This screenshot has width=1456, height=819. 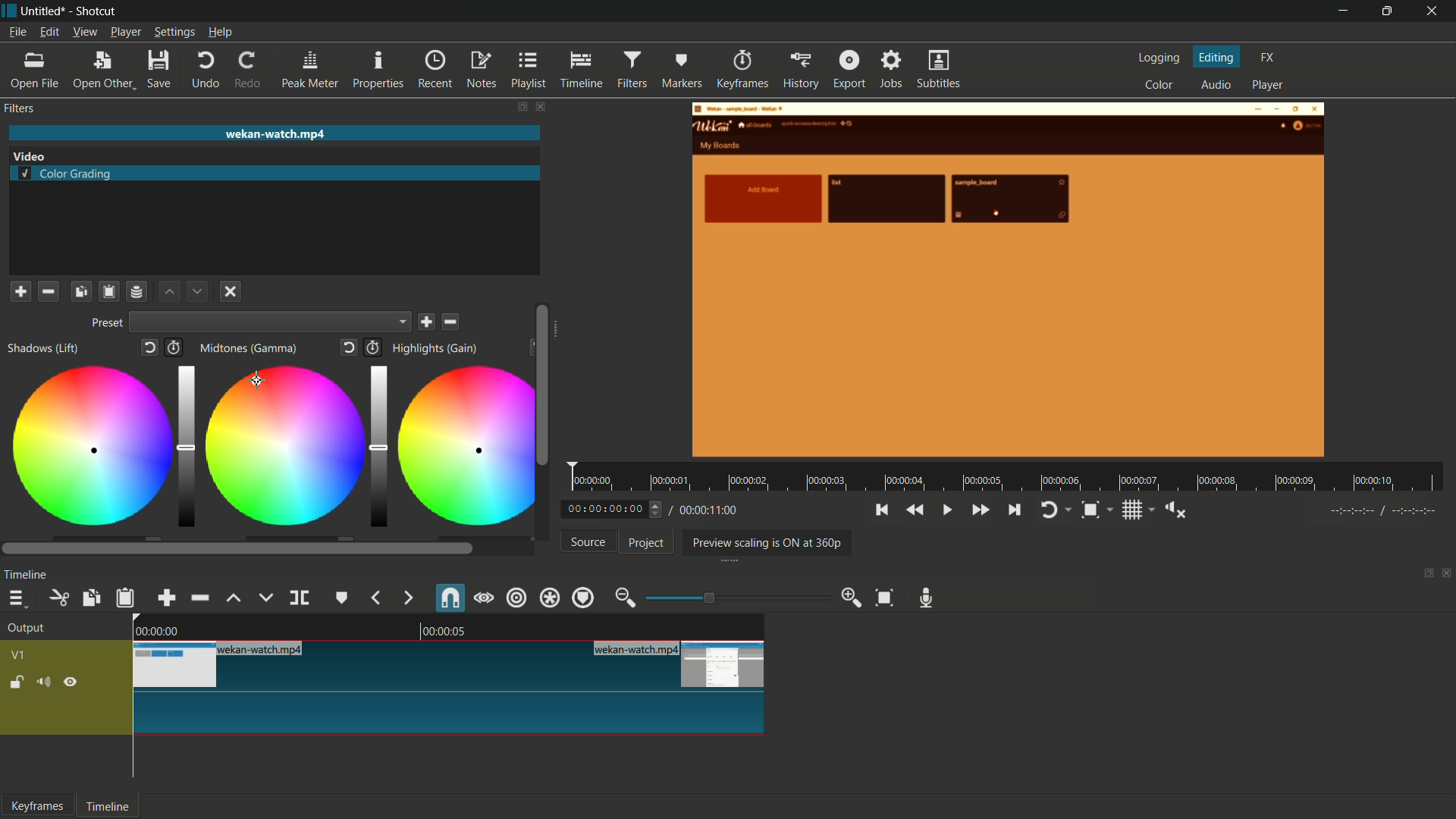 I want to click on video in timeline, so click(x=450, y=687).